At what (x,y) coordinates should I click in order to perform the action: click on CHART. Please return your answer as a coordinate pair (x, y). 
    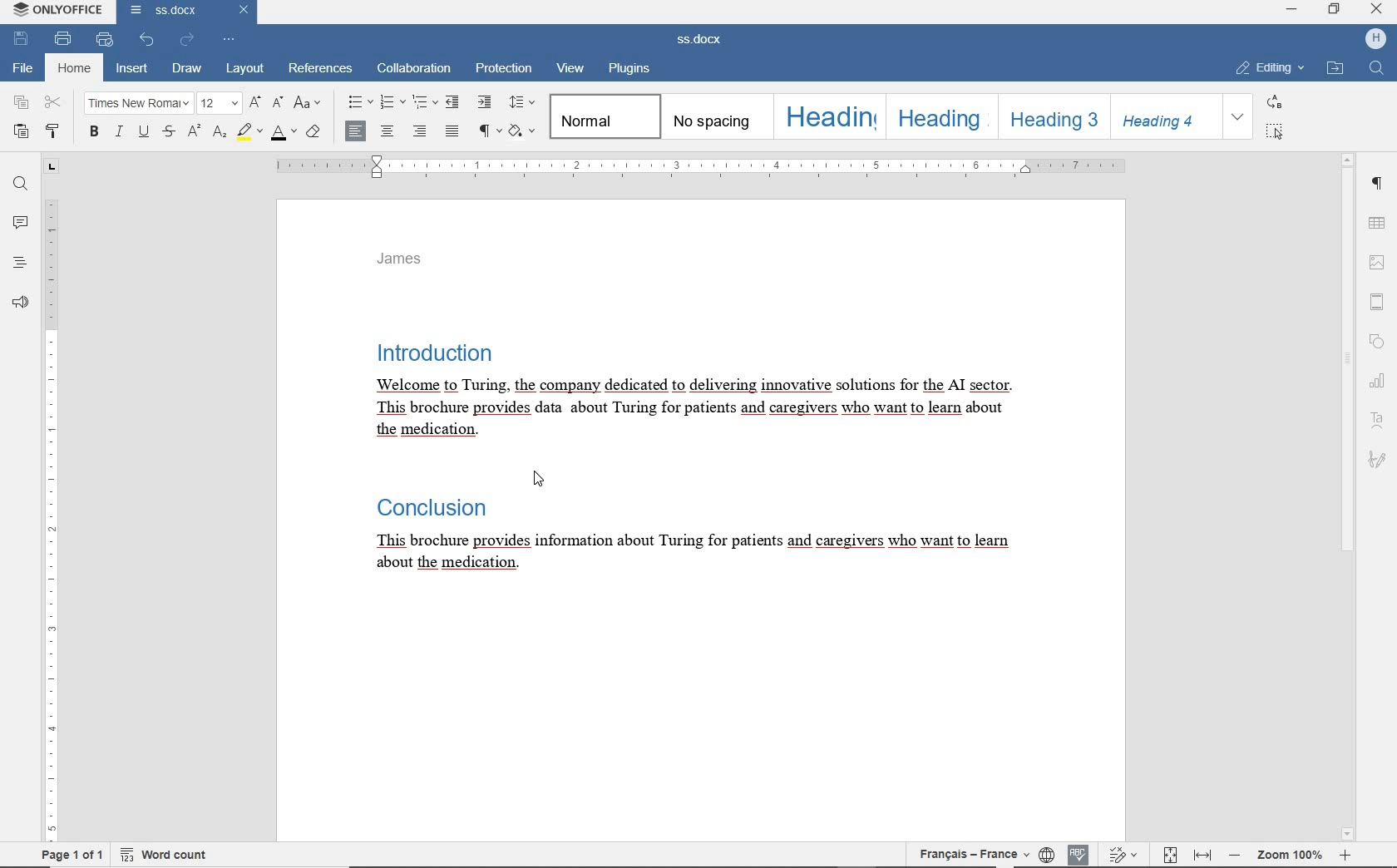
    Looking at the image, I should click on (1380, 383).